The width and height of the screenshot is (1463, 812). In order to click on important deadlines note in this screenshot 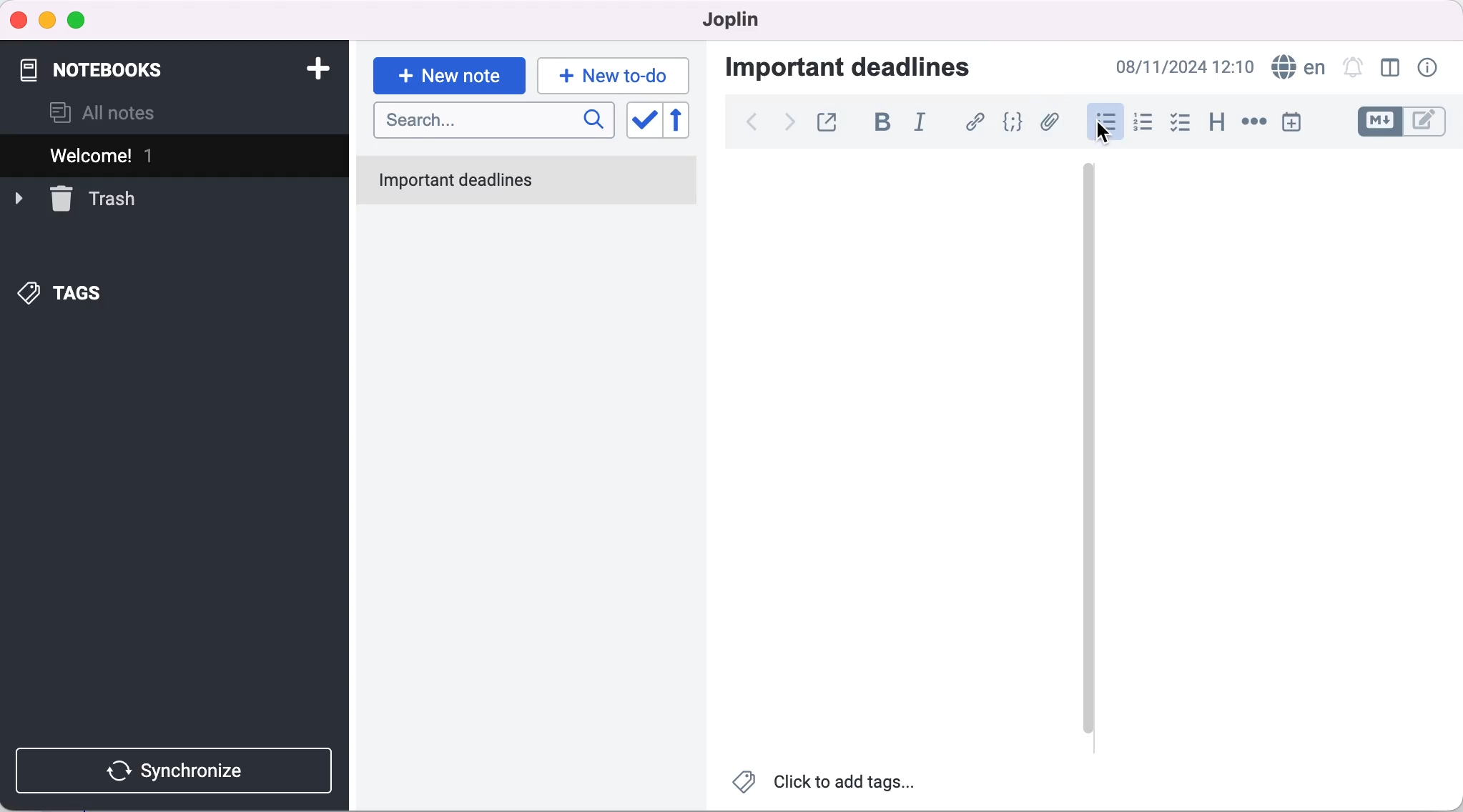, I will do `click(529, 182)`.